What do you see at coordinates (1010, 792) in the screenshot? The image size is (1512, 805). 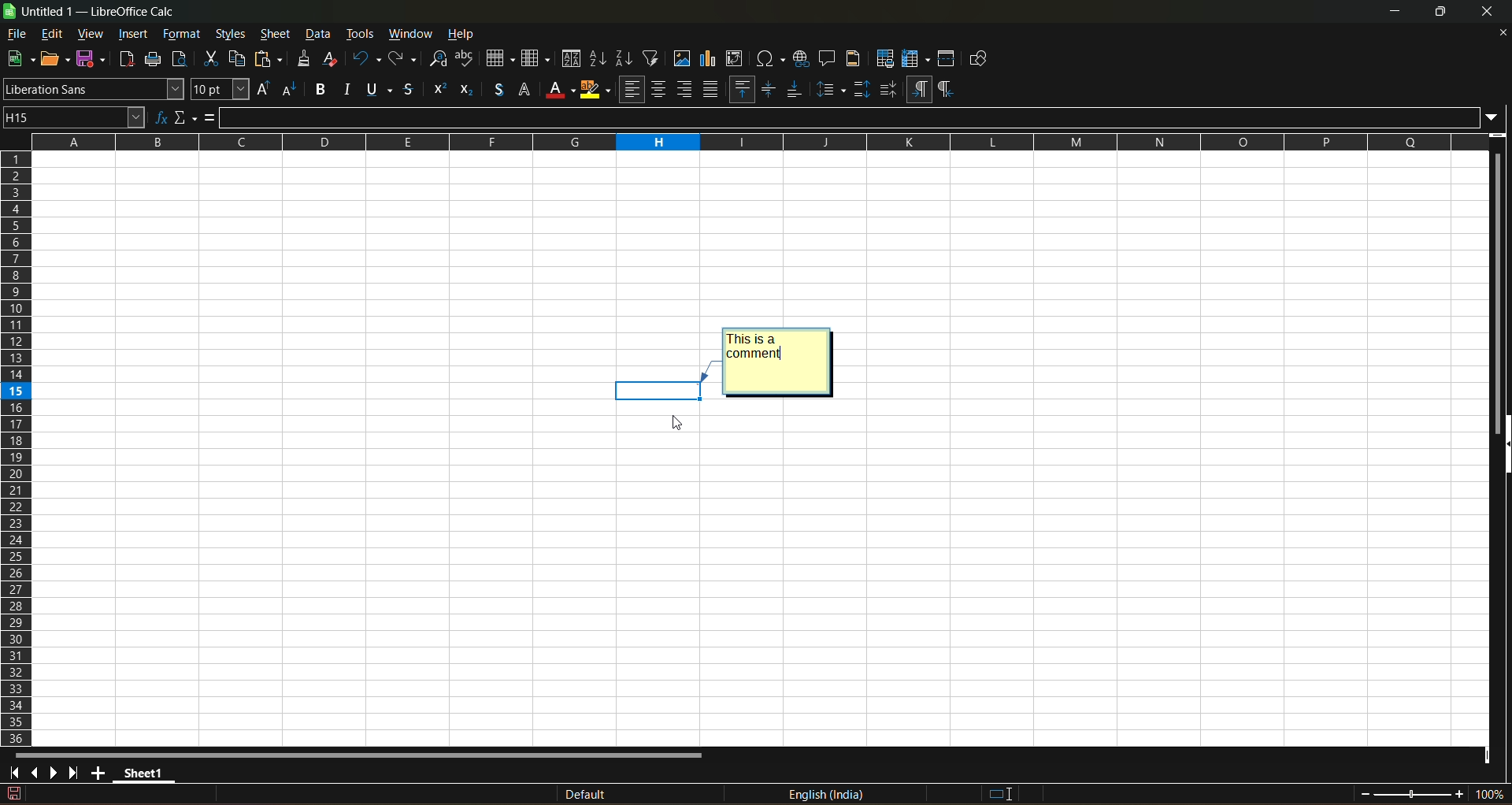 I see `standard selection` at bounding box center [1010, 792].